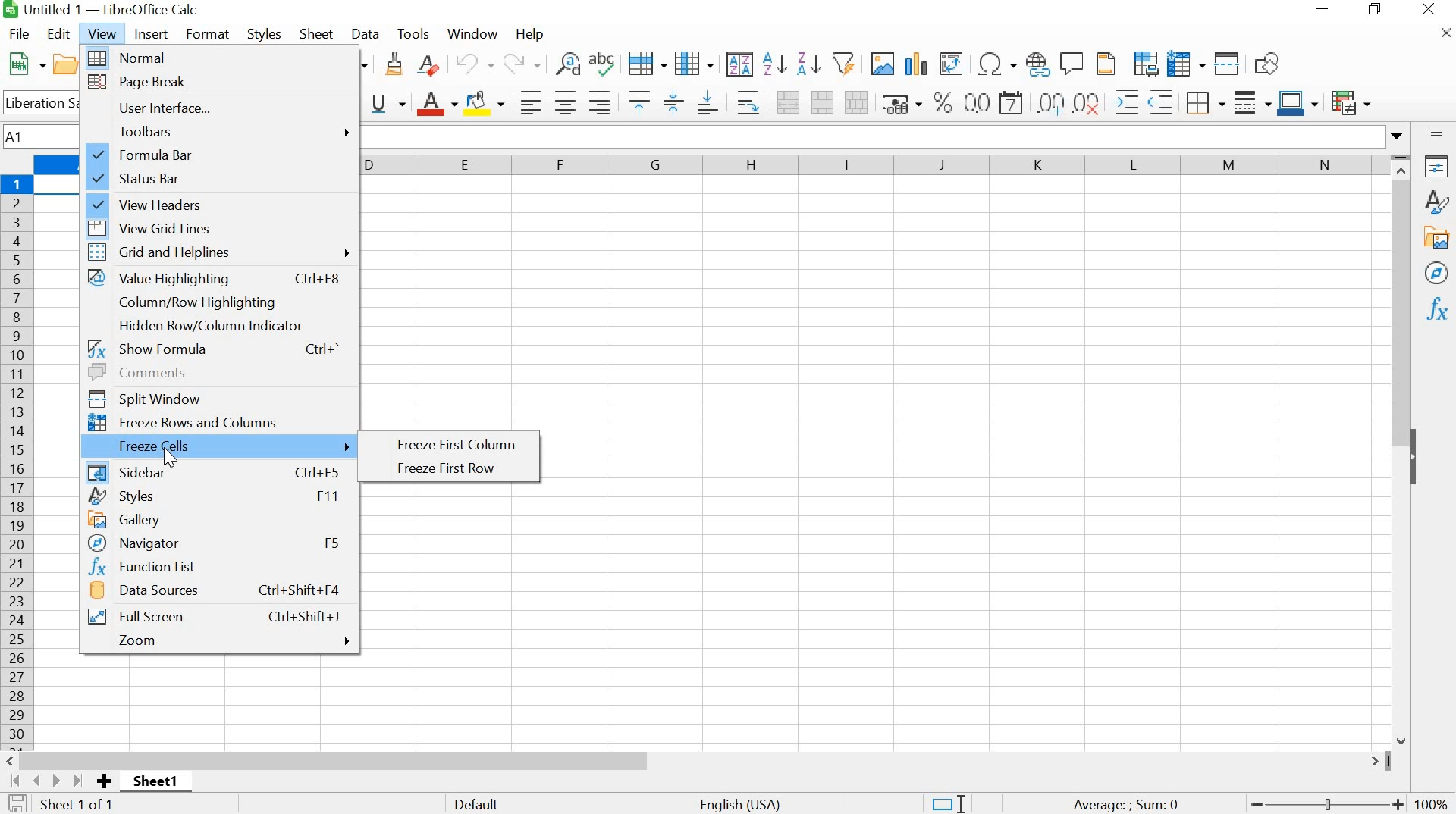  What do you see at coordinates (215, 615) in the screenshot?
I see `FULL SCREEN` at bounding box center [215, 615].